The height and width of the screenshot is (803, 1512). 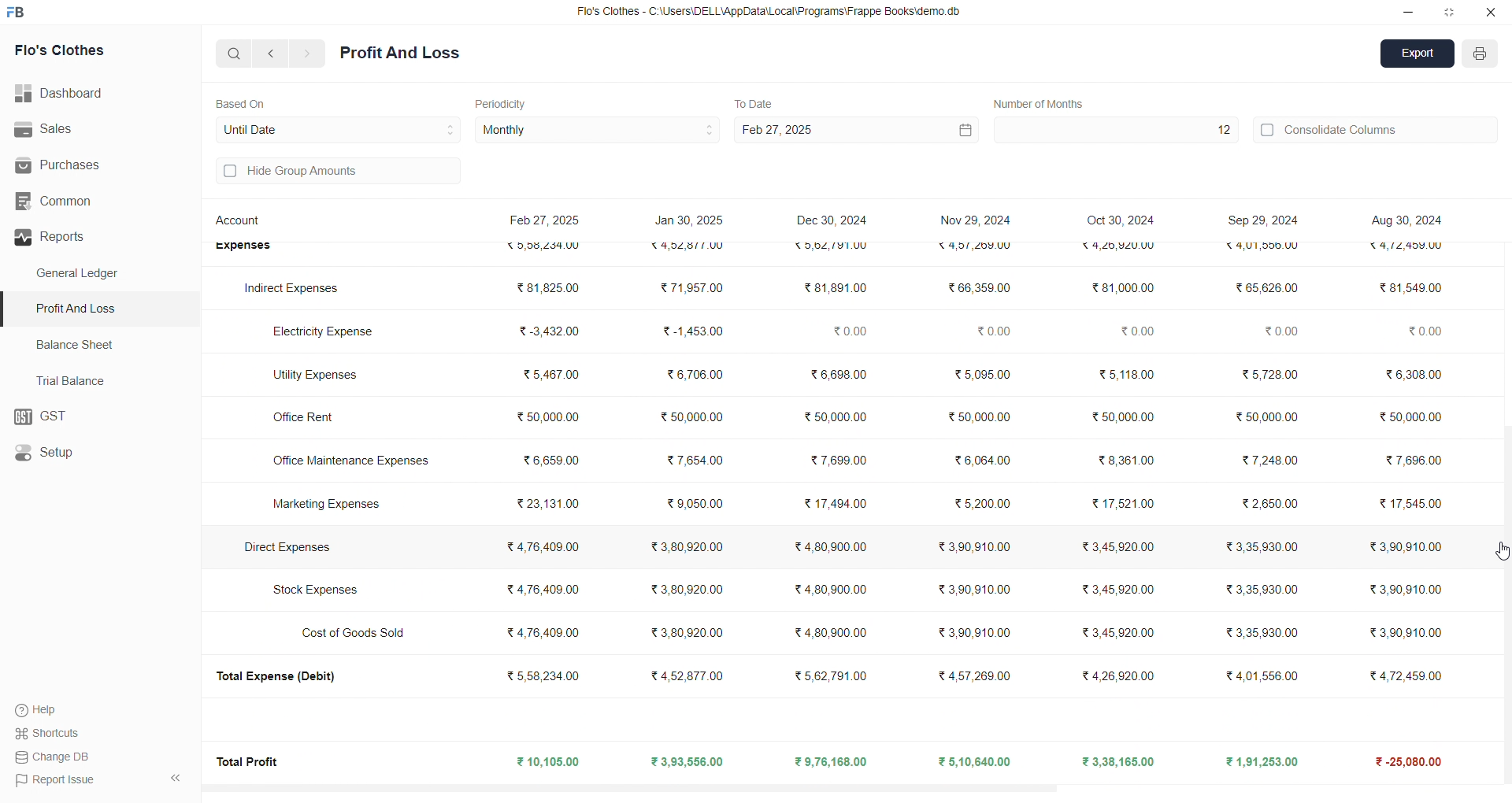 I want to click on Common, so click(x=80, y=202).